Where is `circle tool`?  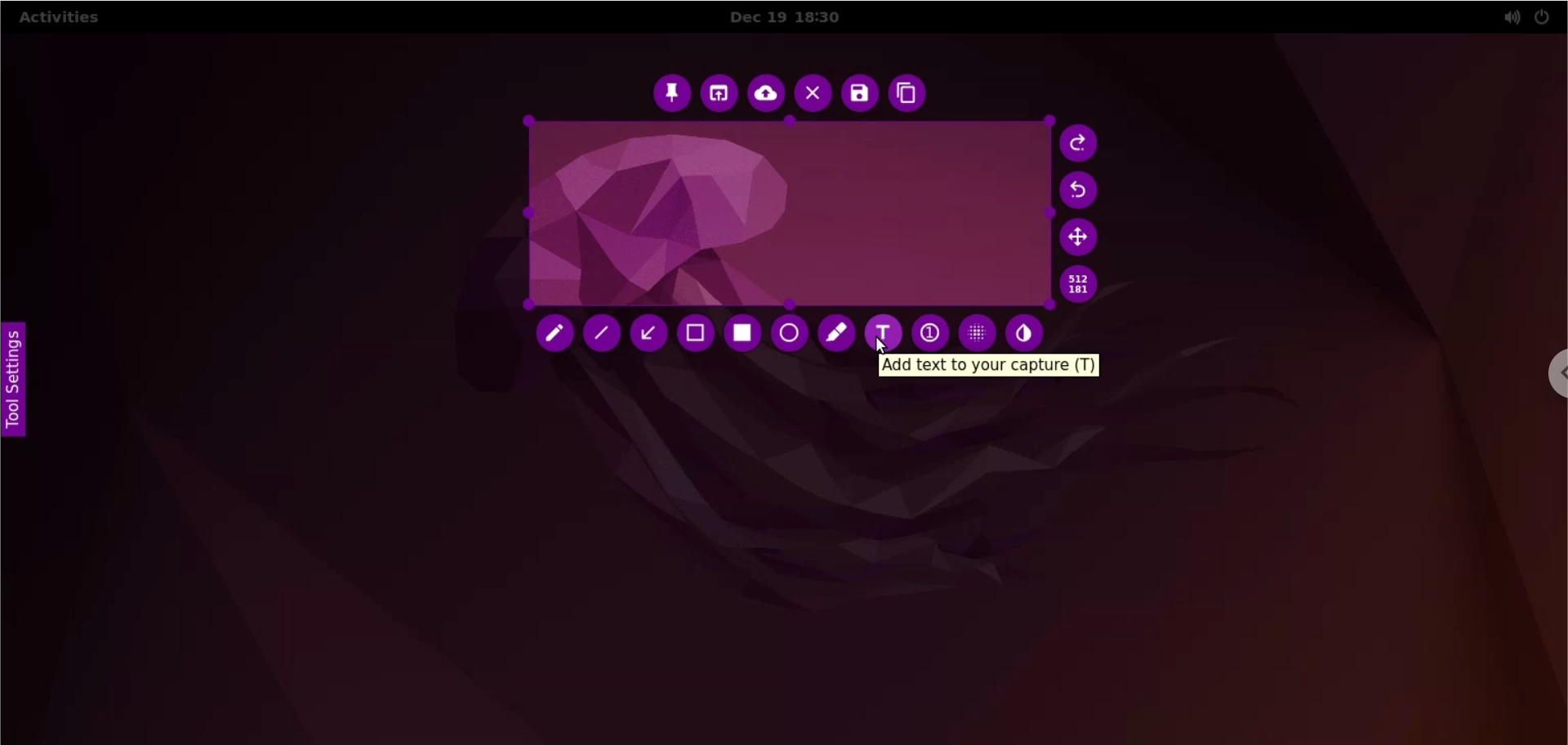
circle tool is located at coordinates (791, 334).